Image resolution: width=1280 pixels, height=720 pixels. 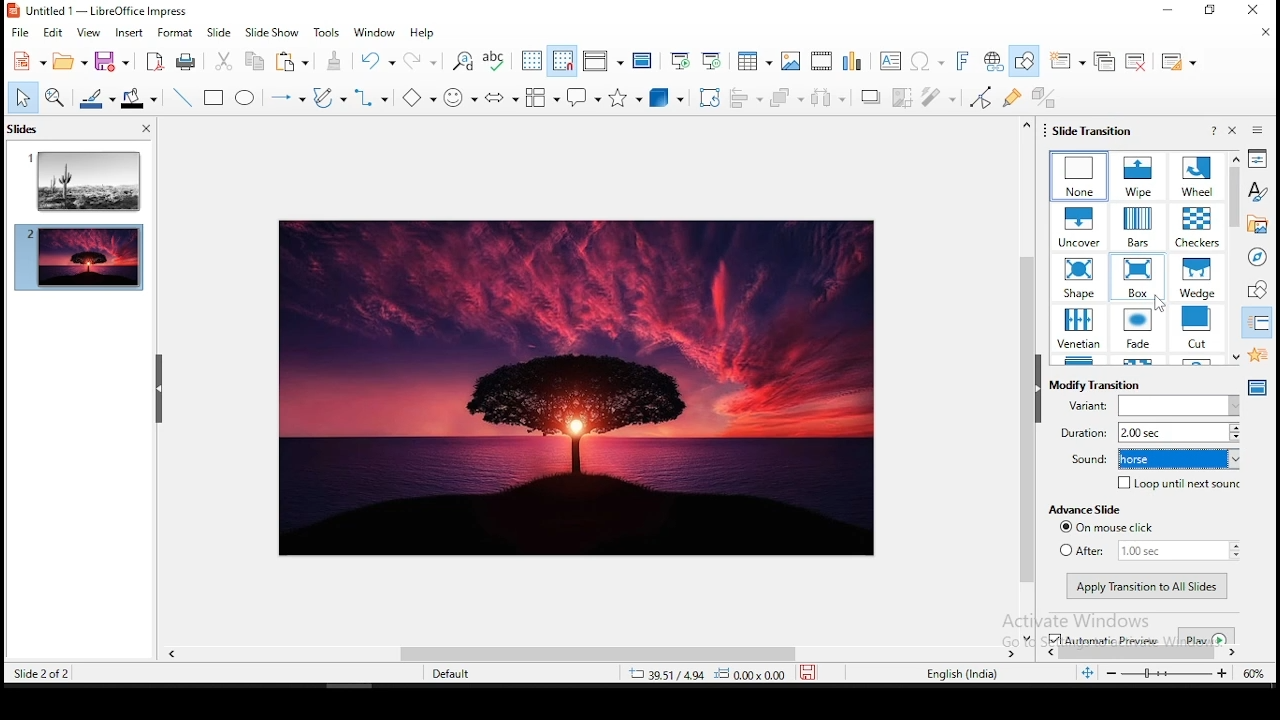 I want to click on select tool, so click(x=25, y=98).